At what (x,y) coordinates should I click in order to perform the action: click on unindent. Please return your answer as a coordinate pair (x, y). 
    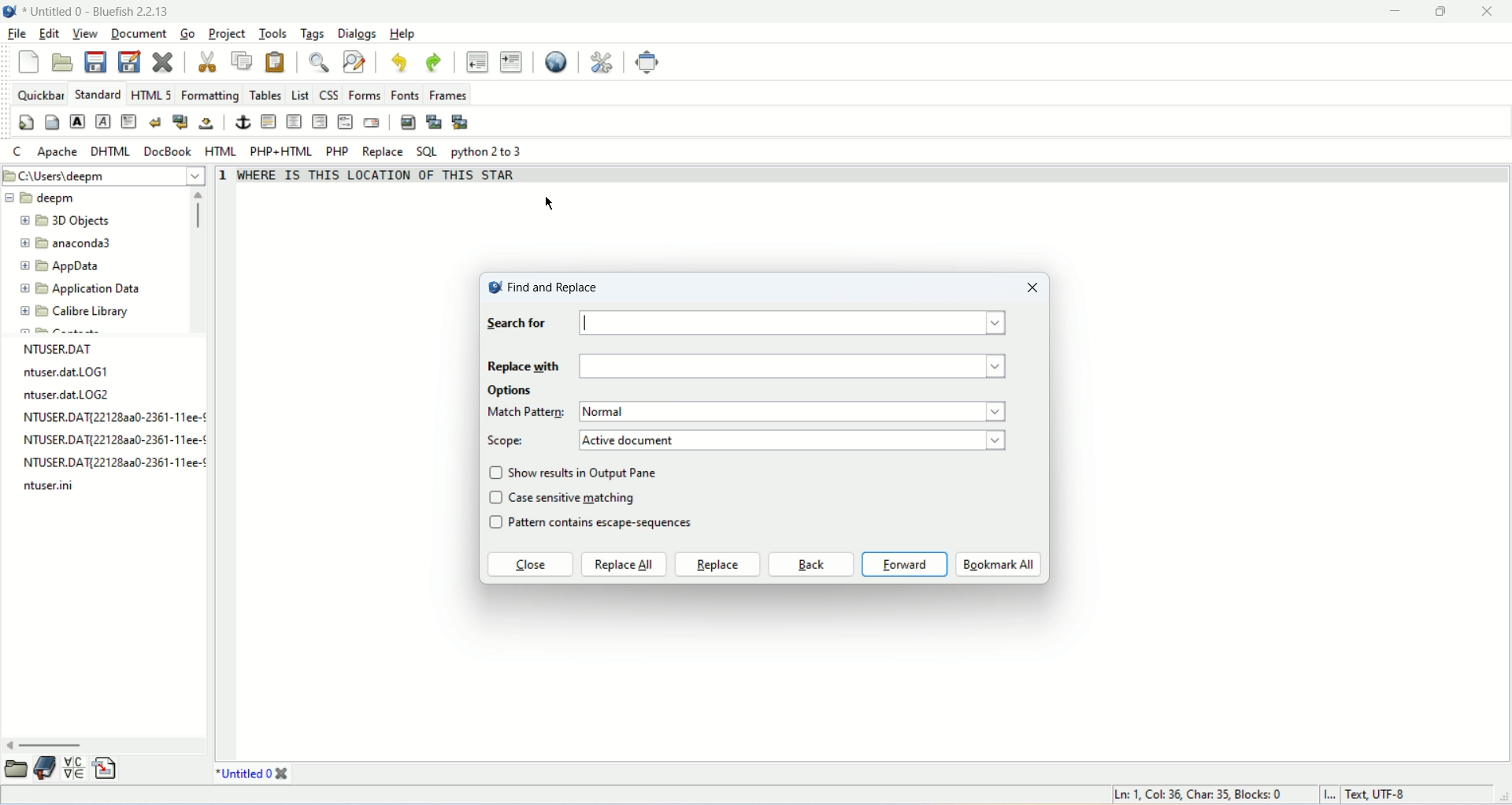
    Looking at the image, I should click on (476, 61).